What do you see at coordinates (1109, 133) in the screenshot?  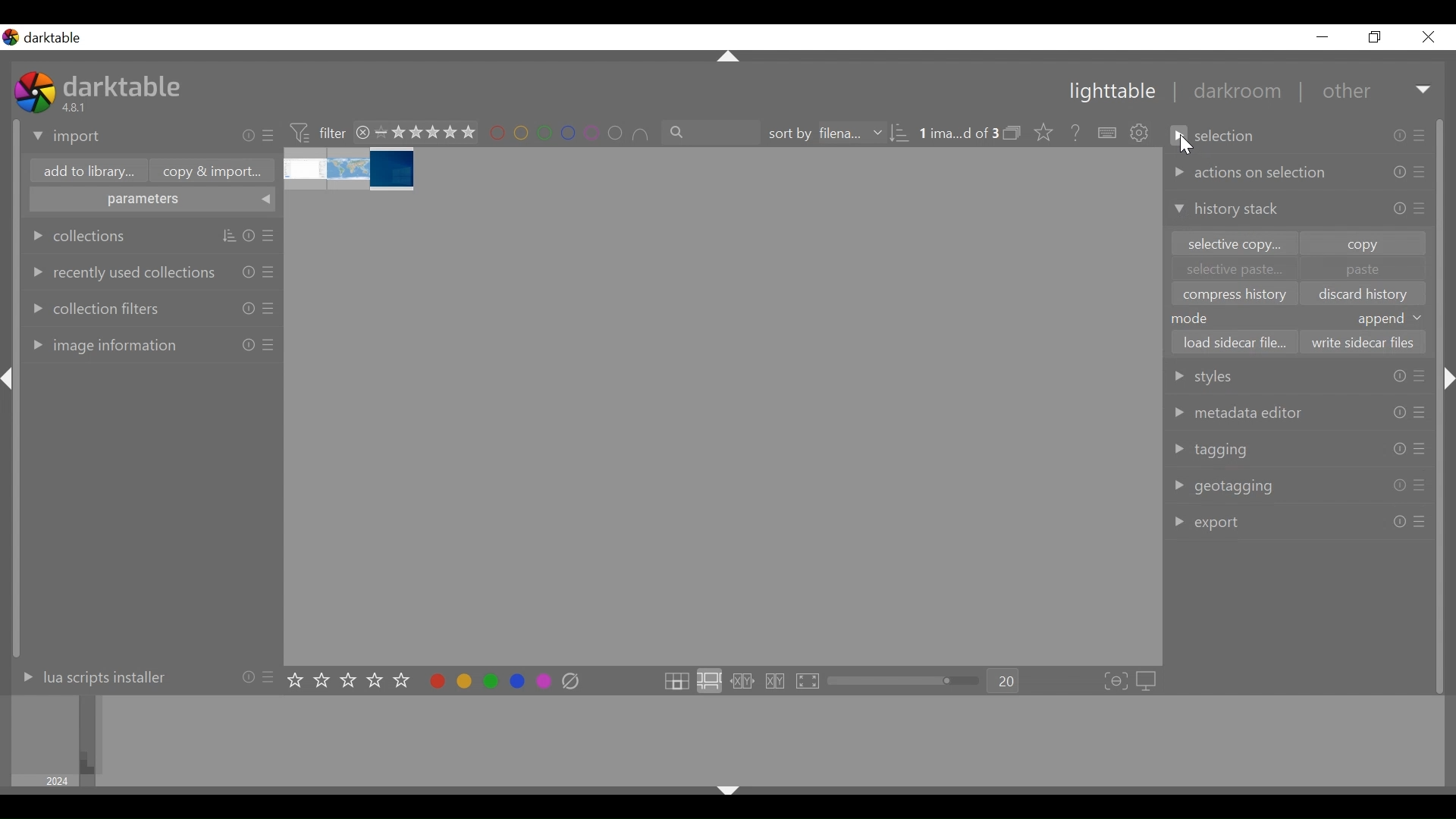 I see `define shortcuts` at bounding box center [1109, 133].